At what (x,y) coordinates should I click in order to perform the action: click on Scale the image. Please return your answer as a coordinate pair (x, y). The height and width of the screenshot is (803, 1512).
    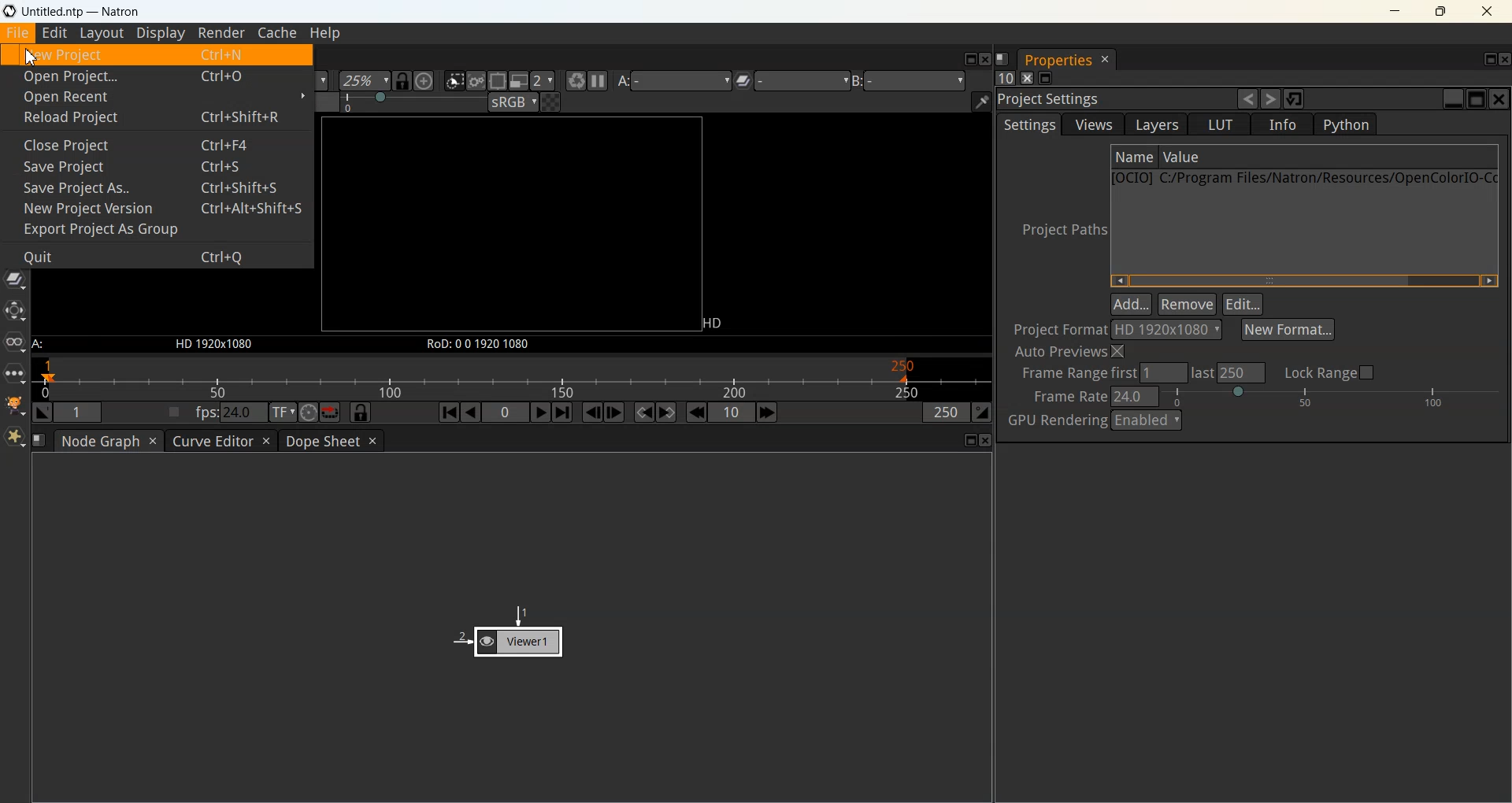
    Looking at the image, I should click on (424, 80).